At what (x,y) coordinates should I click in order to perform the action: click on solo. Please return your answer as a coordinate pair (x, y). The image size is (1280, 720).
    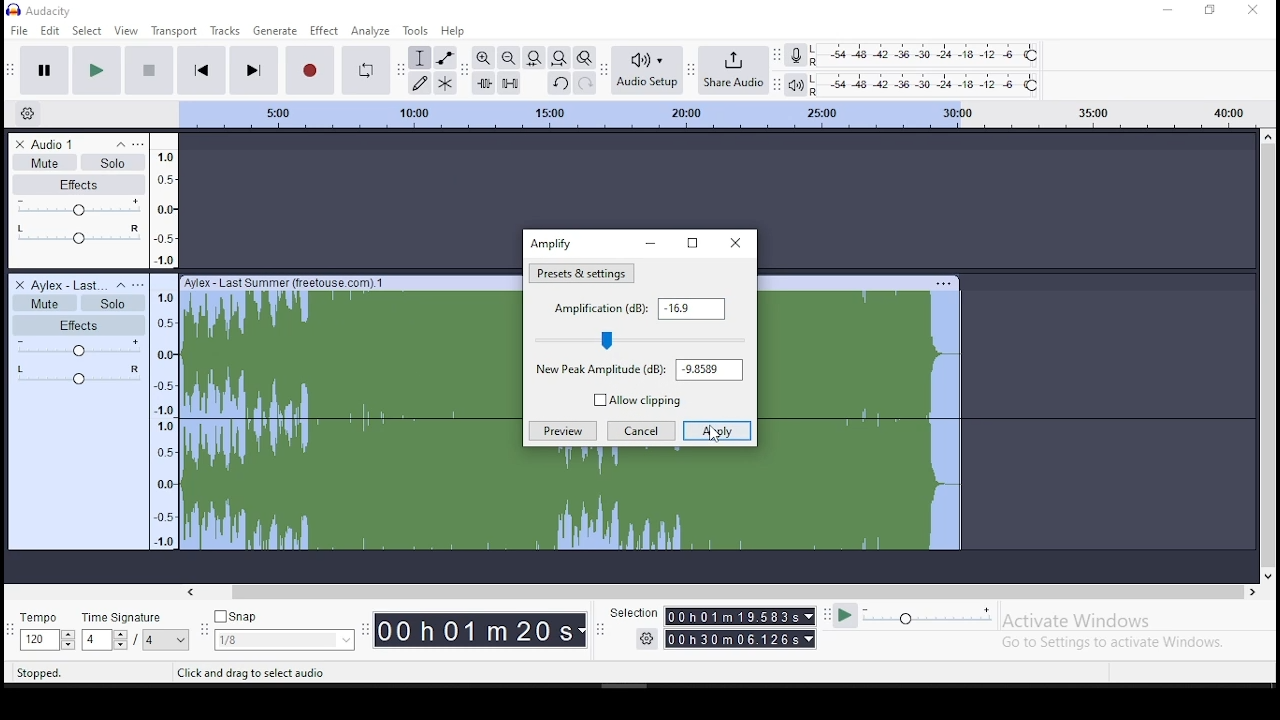
    Looking at the image, I should click on (113, 162).